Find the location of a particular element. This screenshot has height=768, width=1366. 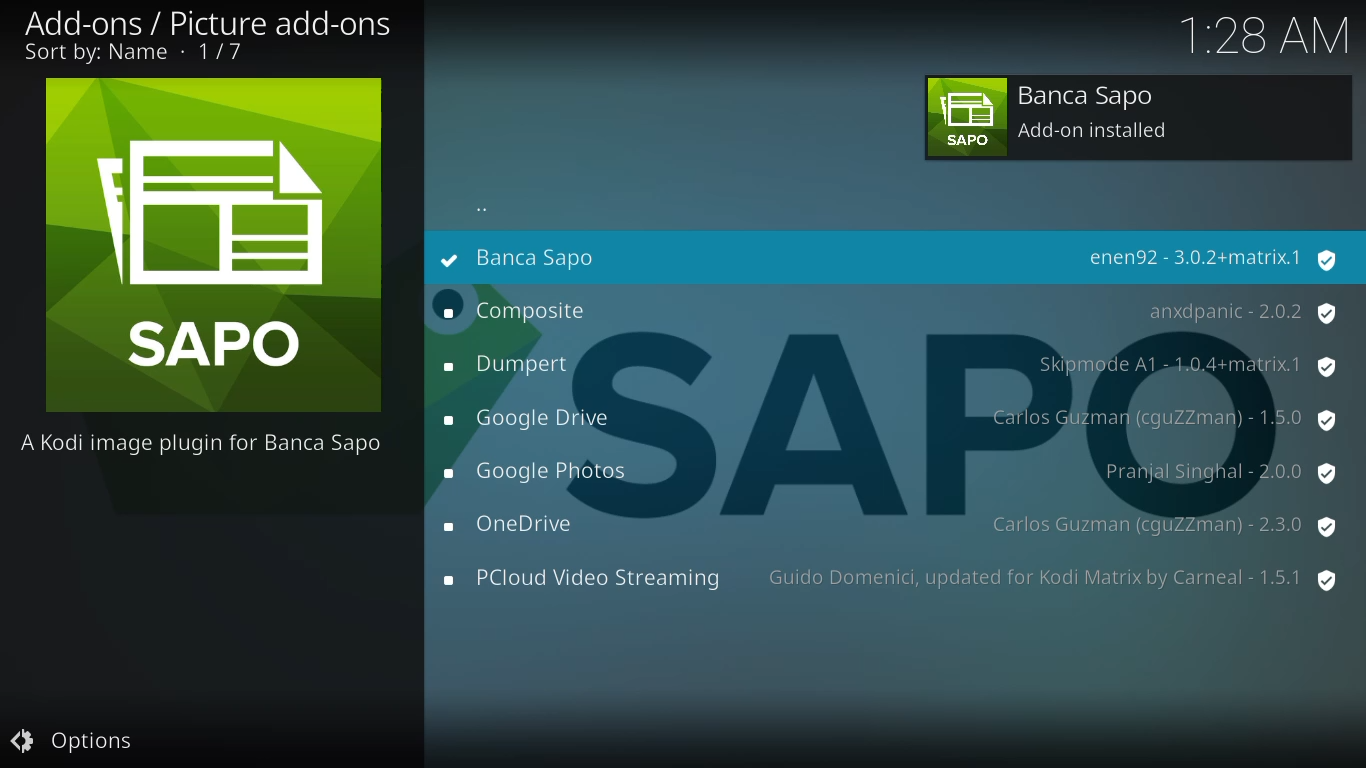

composite is located at coordinates (519, 312).